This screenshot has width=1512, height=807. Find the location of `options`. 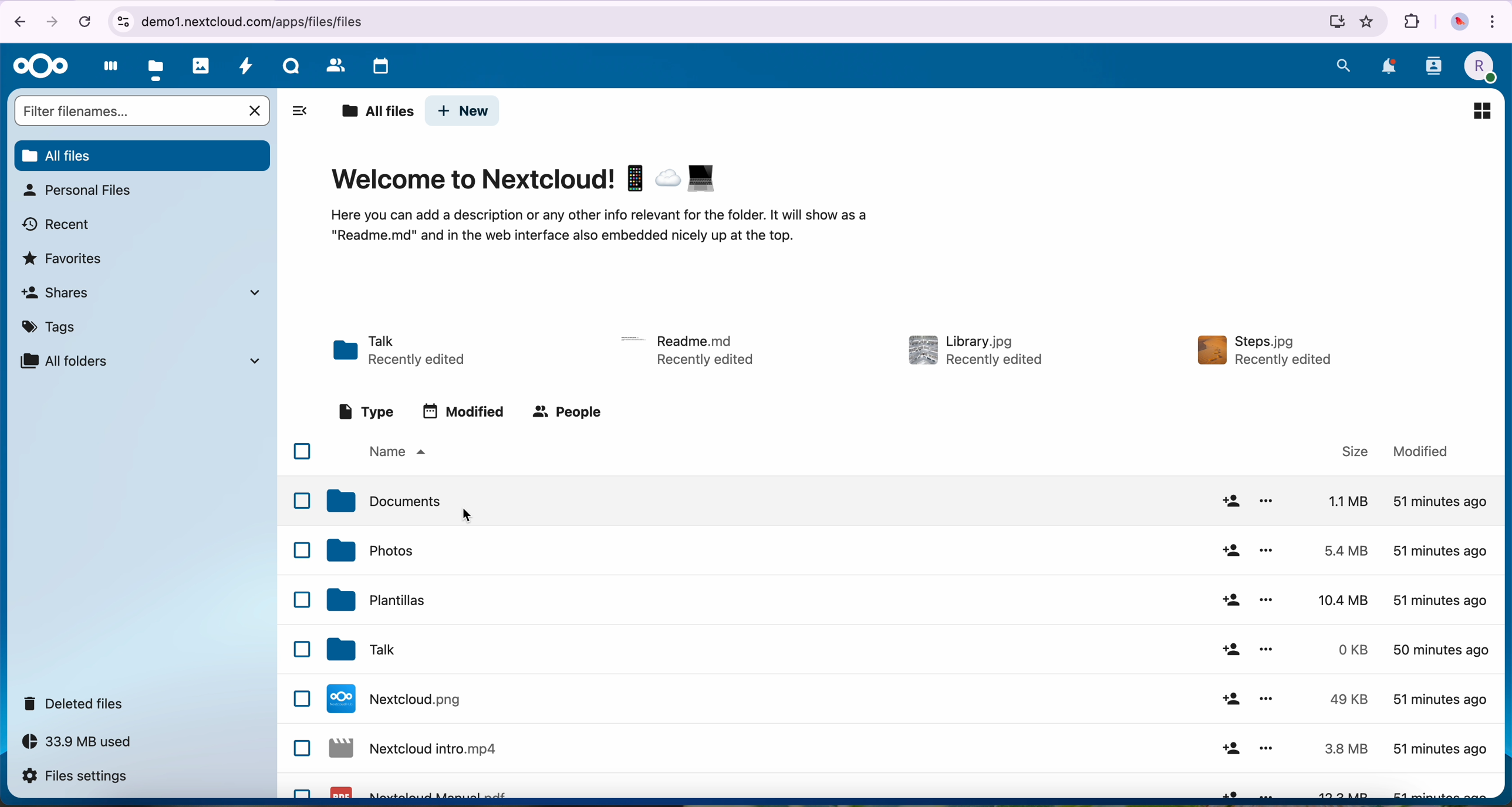

options is located at coordinates (1265, 599).